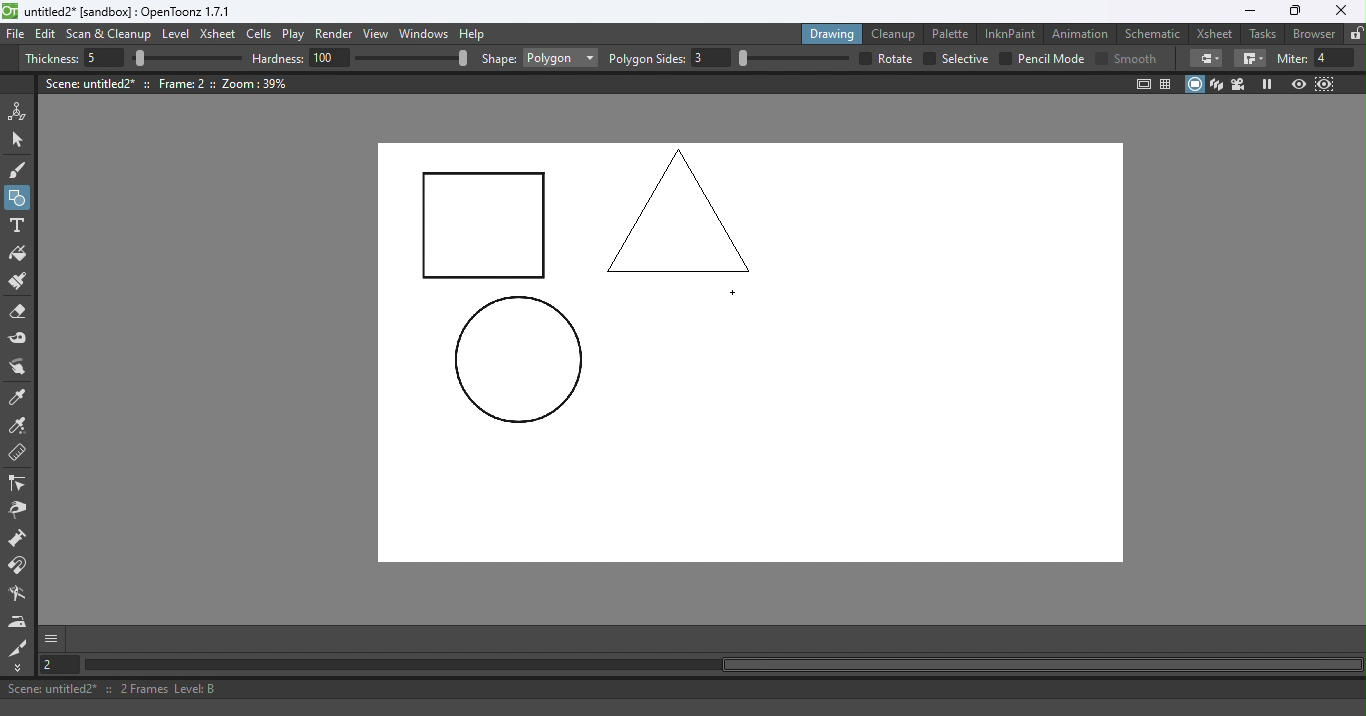 The image size is (1366, 716). I want to click on slider, so click(187, 59).